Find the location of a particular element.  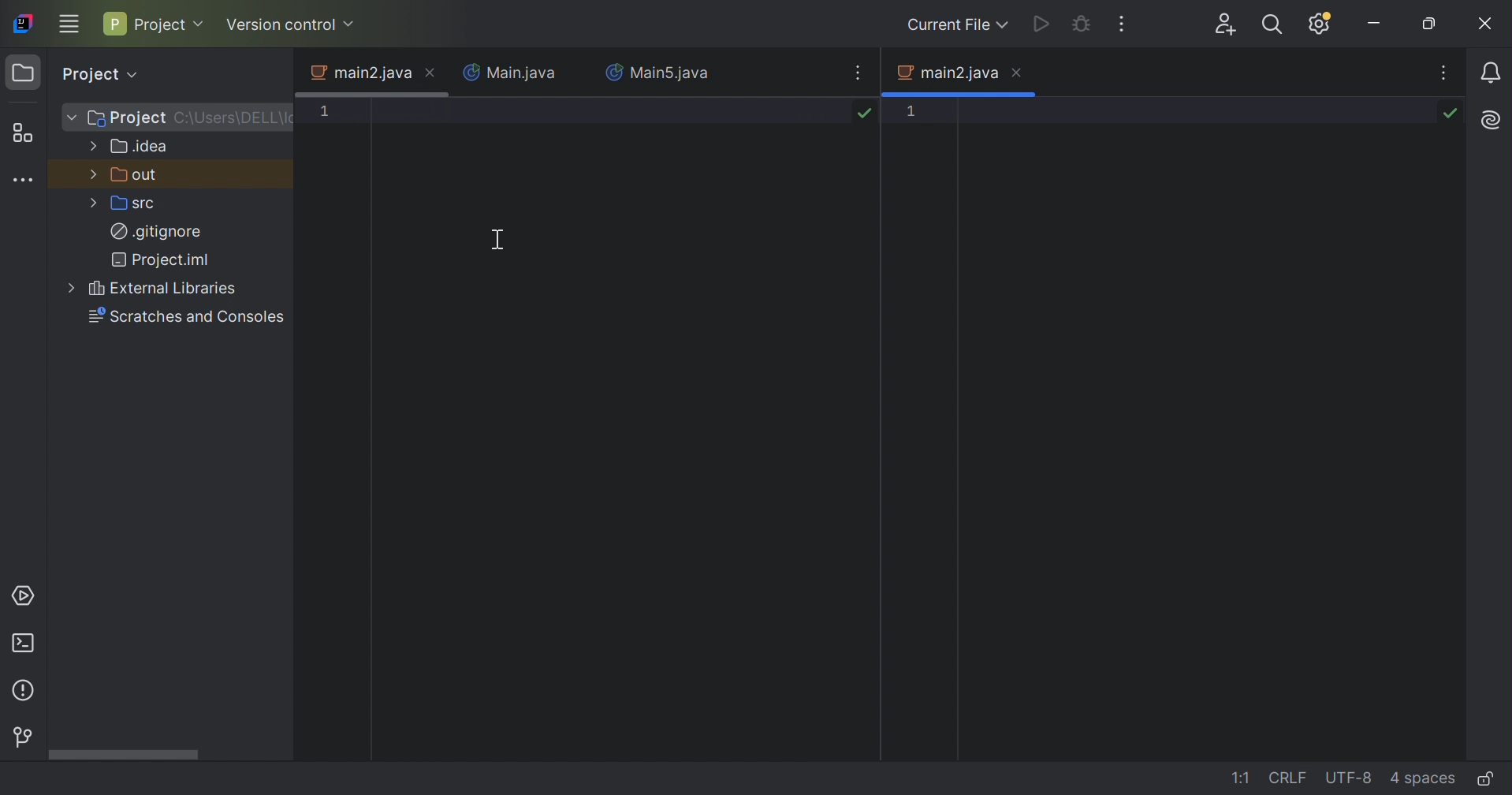

Notifications is located at coordinates (1492, 75).